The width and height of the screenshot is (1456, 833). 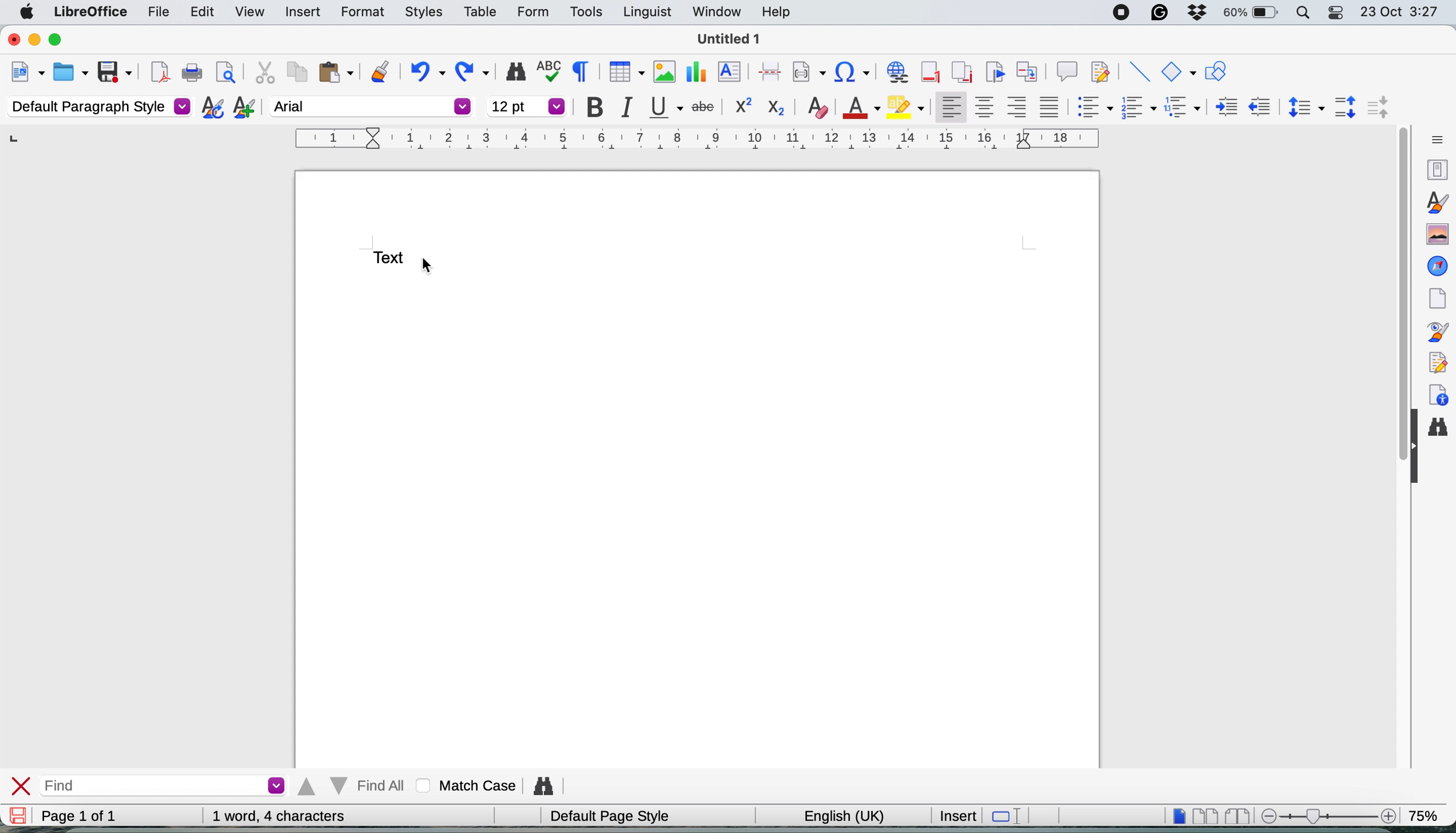 I want to click on text color, so click(x=861, y=106).